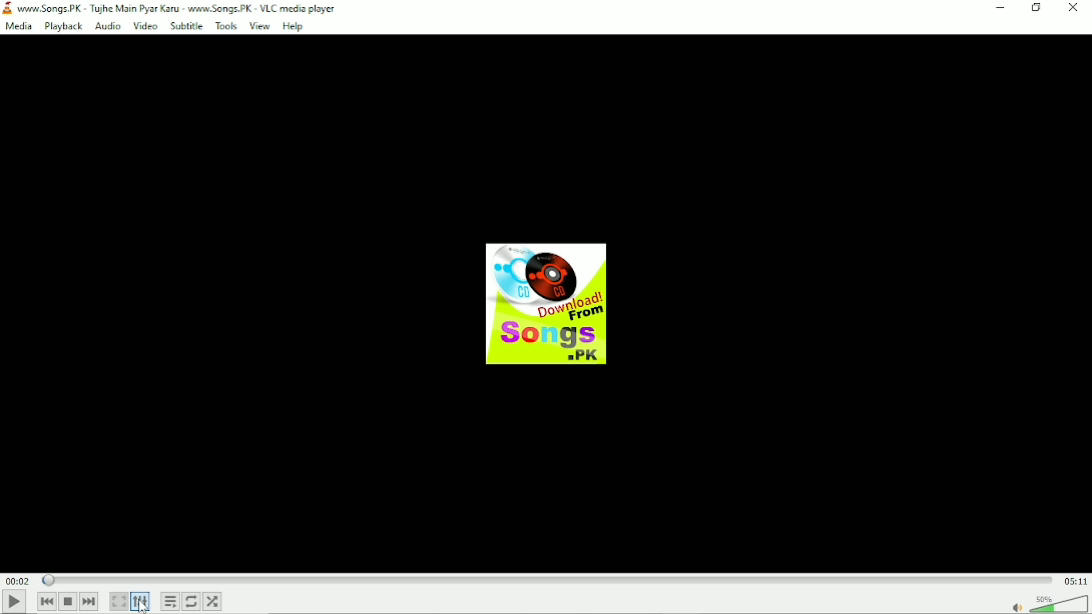 The width and height of the screenshot is (1092, 614). Describe the element at coordinates (107, 26) in the screenshot. I see `Audio` at that location.